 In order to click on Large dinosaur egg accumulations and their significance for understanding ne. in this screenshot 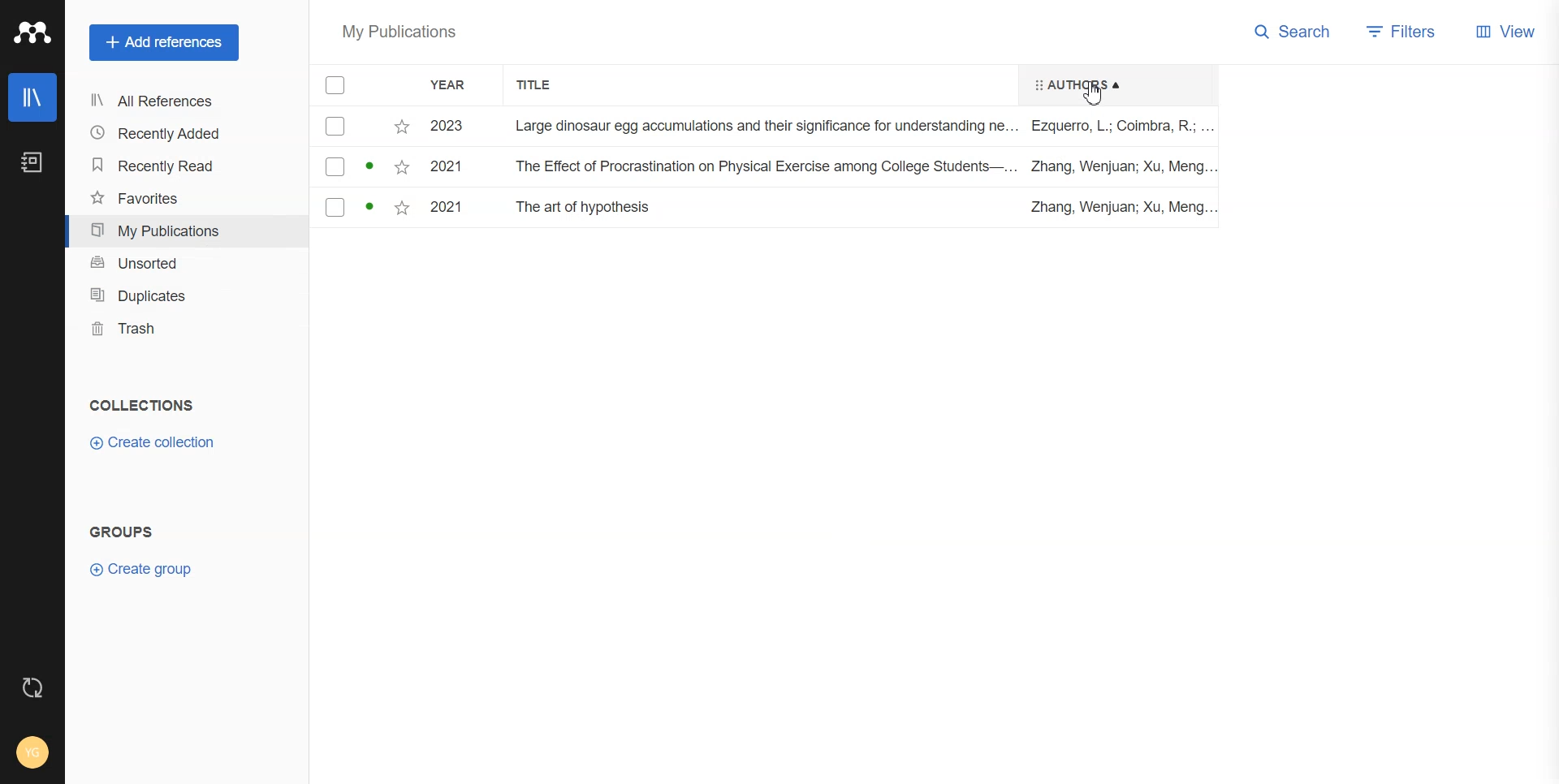, I will do `click(763, 125)`.